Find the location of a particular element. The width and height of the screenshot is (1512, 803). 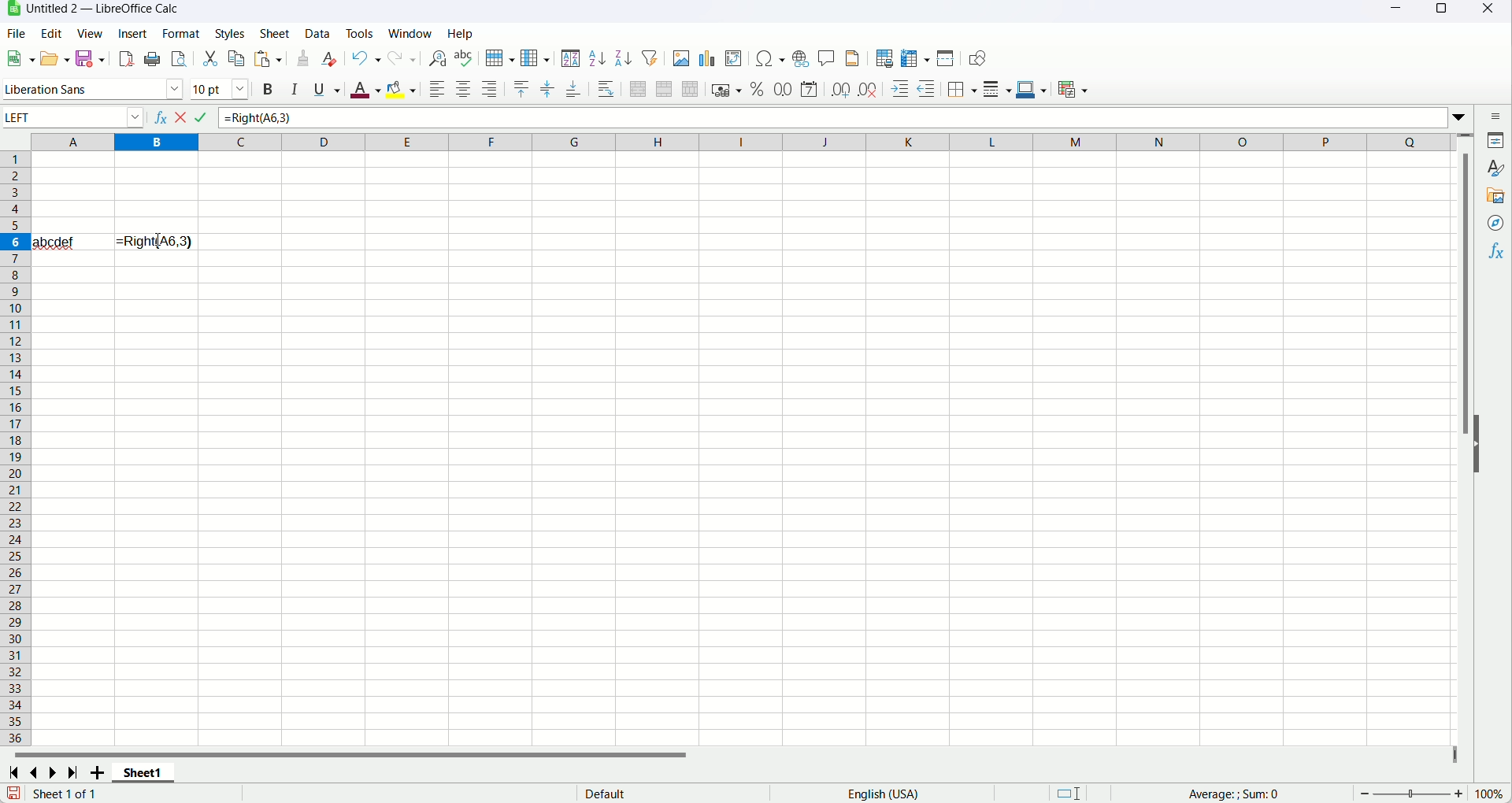

add decimal place is located at coordinates (840, 91).